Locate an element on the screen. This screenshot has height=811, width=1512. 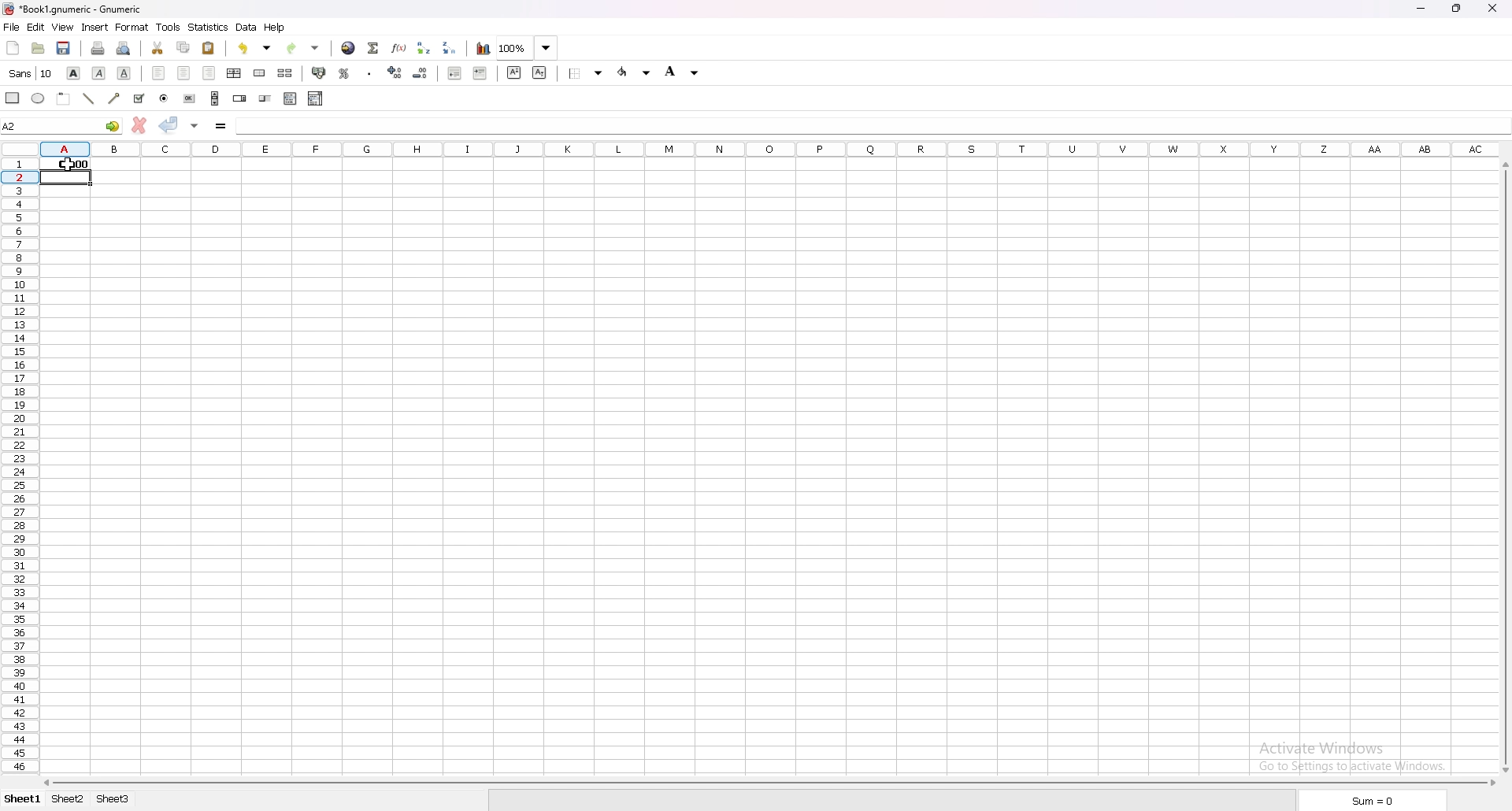
zoom is located at coordinates (528, 47).